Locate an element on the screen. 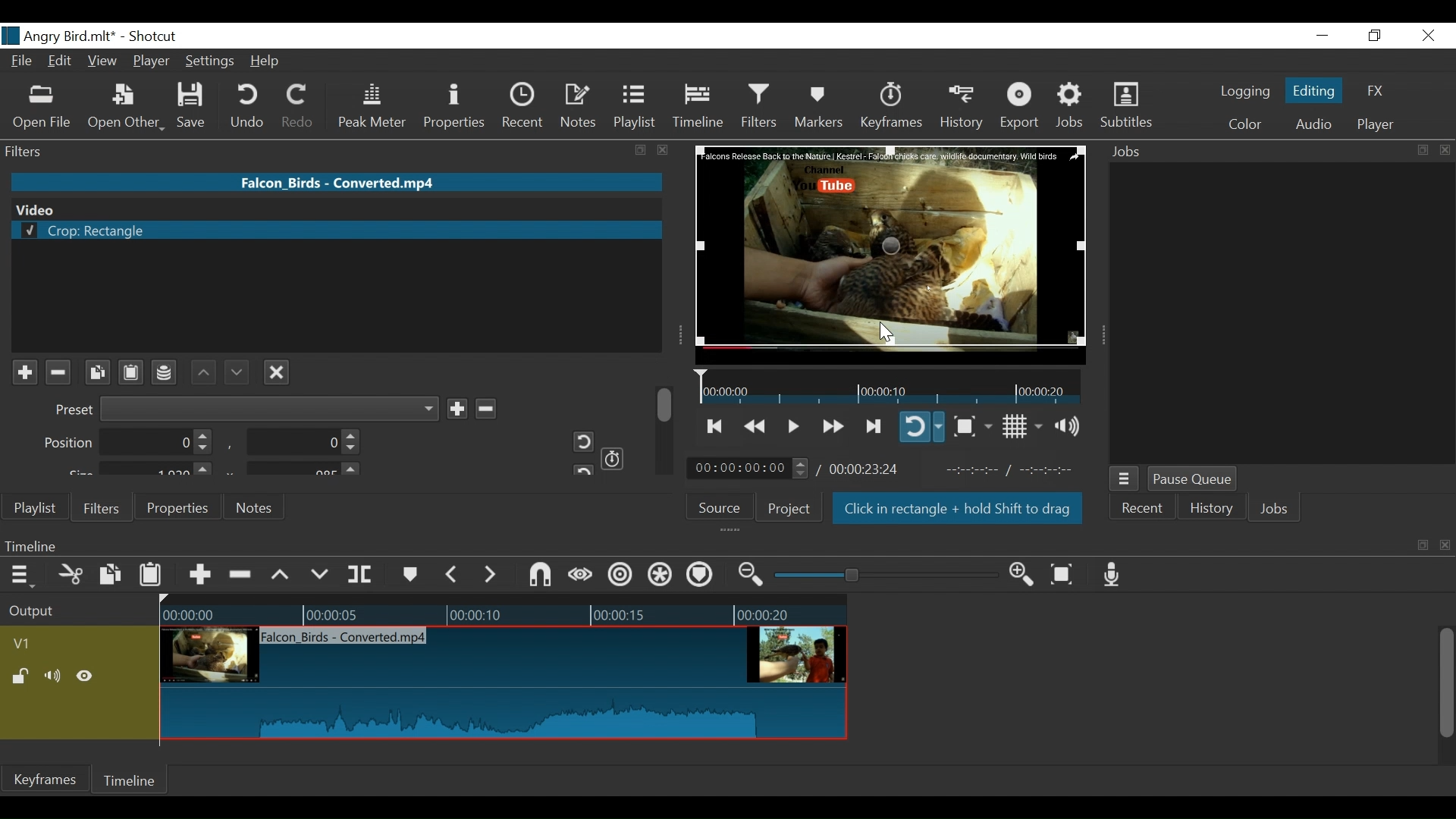  Video is located at coordinates (334, 209).